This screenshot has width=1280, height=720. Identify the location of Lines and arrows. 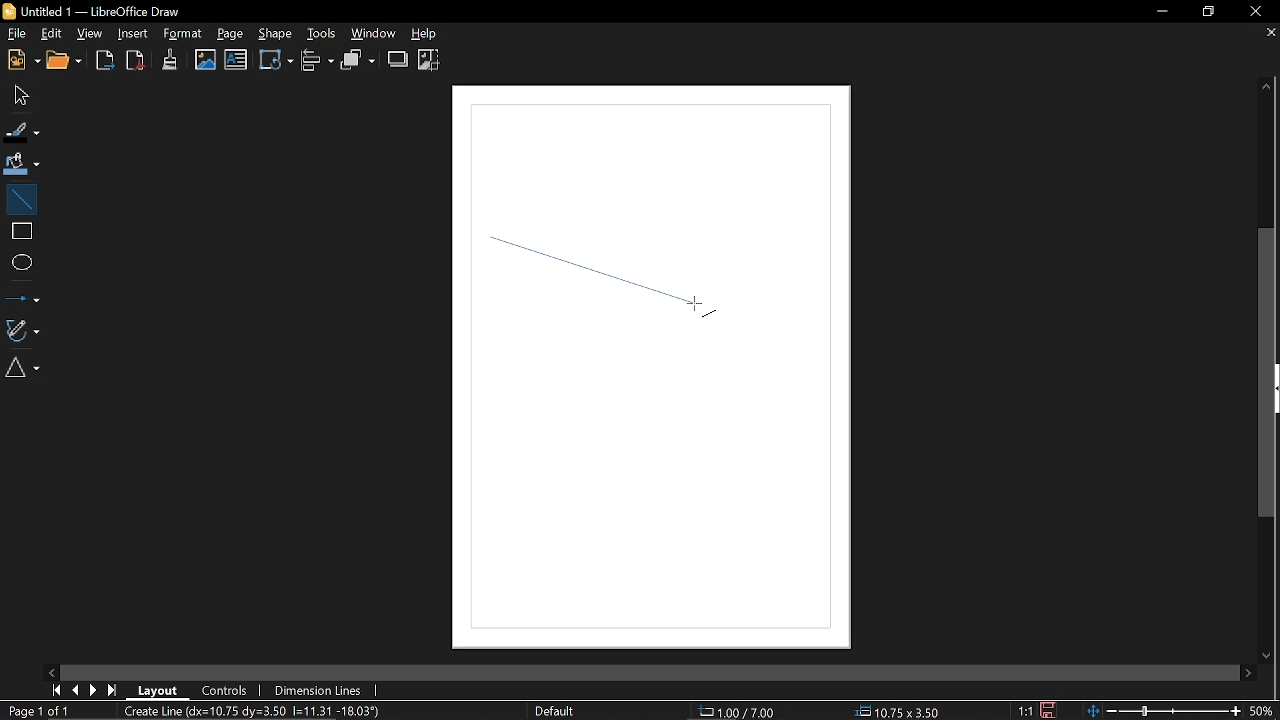
(22, 295).